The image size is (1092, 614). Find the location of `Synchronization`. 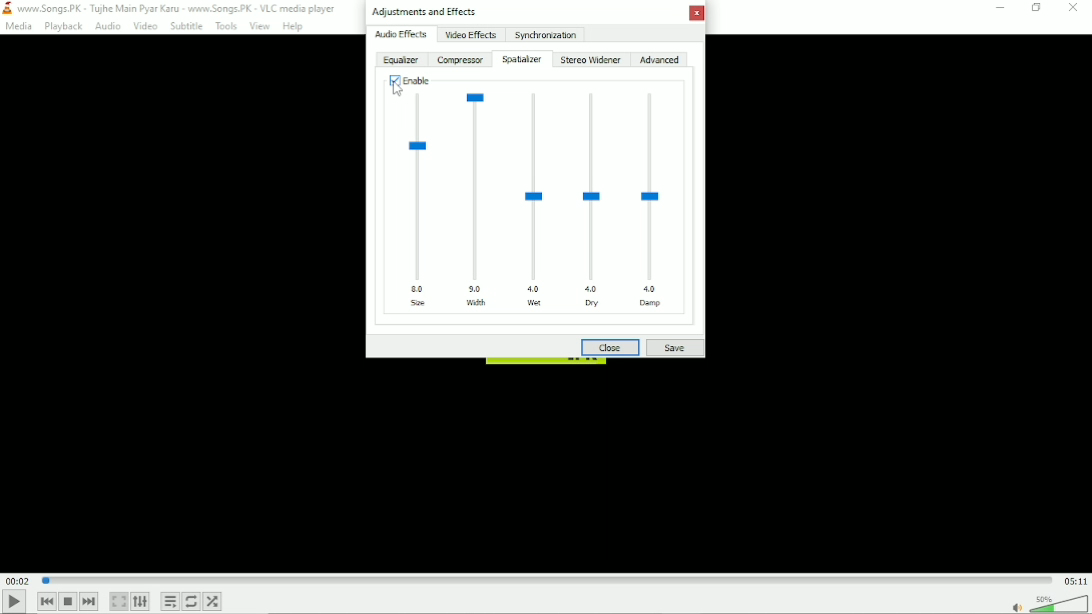

Synchronization is located at coordinates (545, 34).